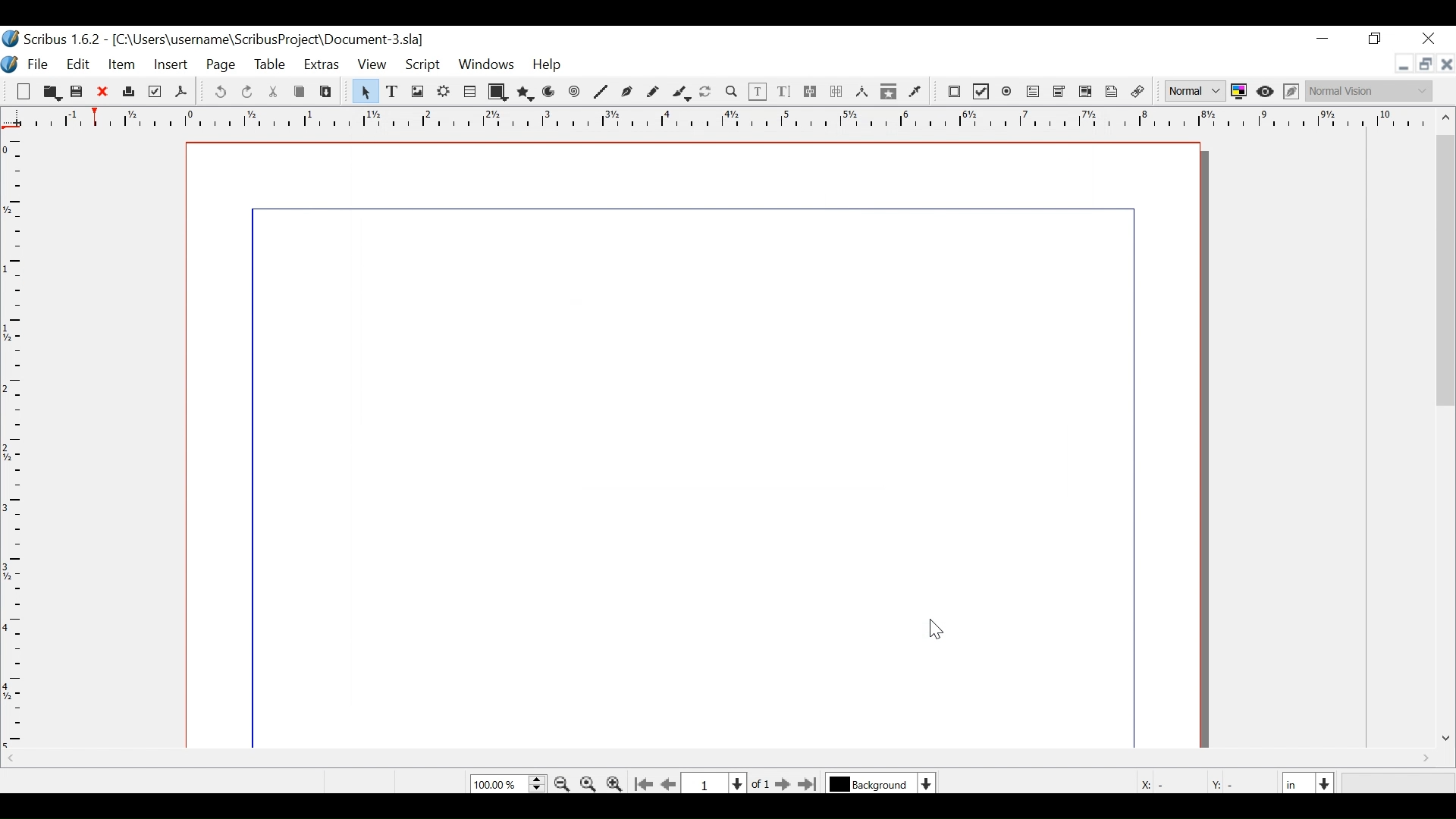  What do you see at coordinates (1195, 91) in the screenshot?
I see `Select Image Preview` at bounding box center [1195, 91].